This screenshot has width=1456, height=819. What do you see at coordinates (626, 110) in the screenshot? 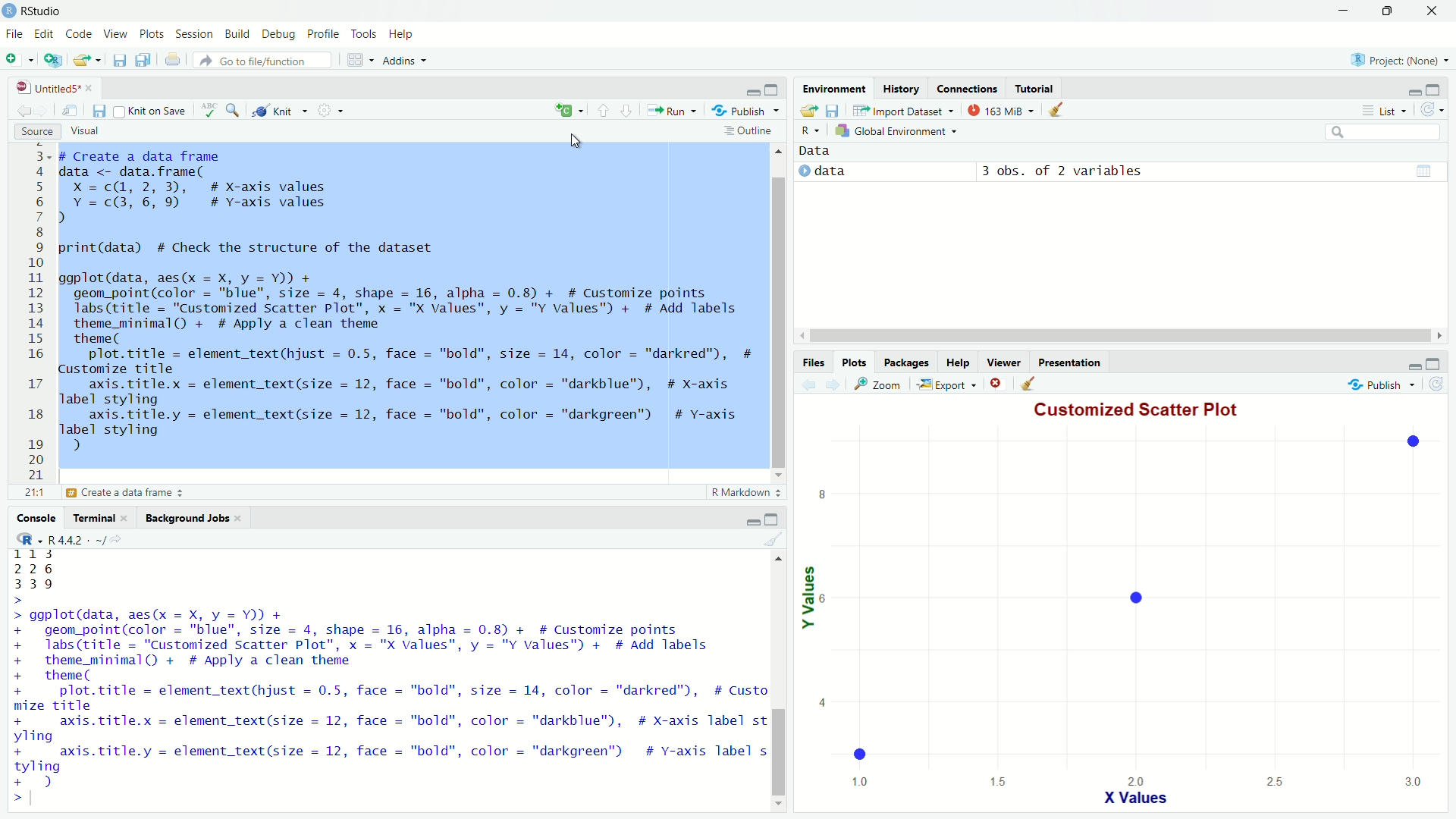
I see `Go to the next section/chunk` at bounding box center [626, 110].